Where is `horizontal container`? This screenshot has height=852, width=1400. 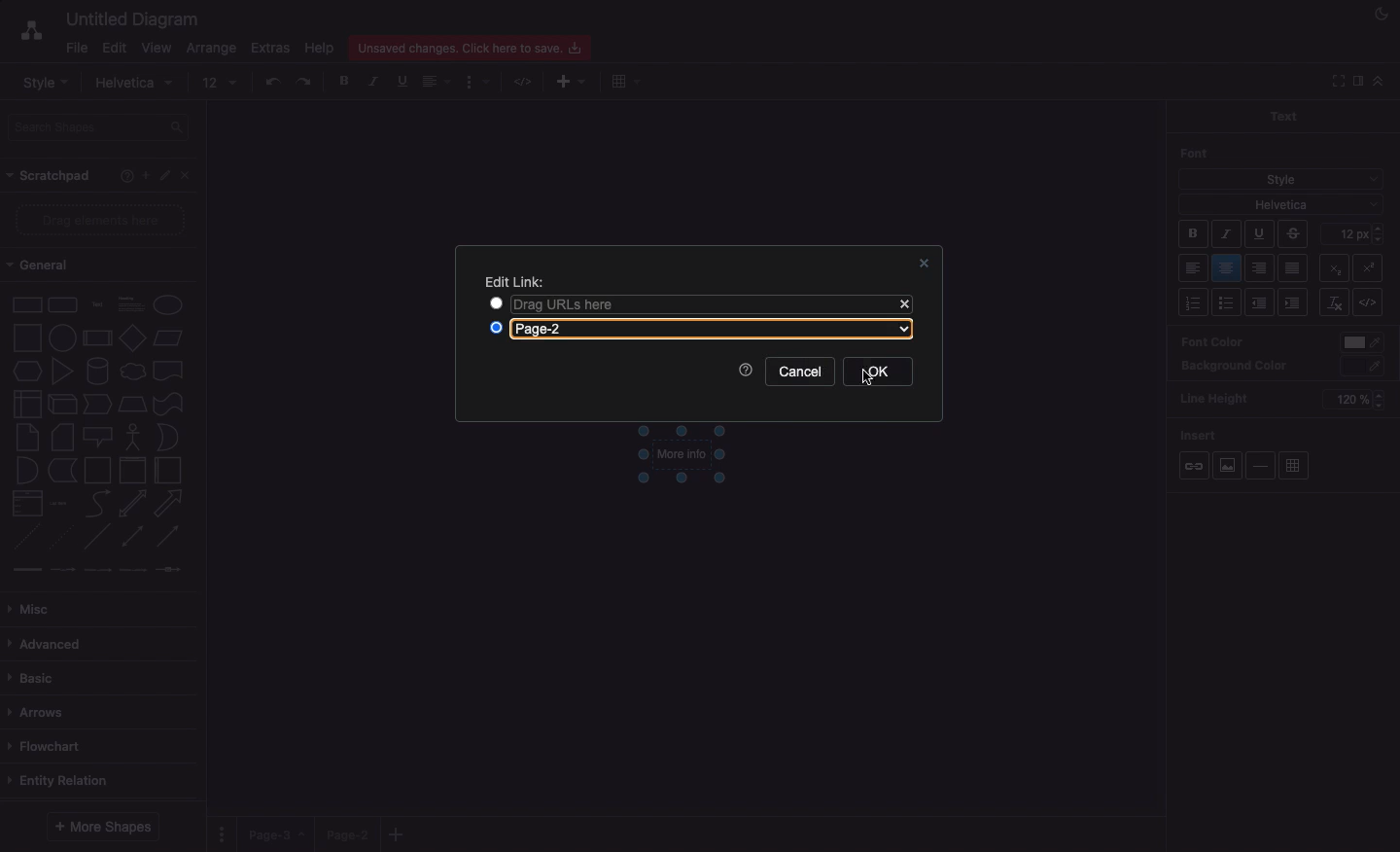 horizontal container is located at coordinates (168, 470).